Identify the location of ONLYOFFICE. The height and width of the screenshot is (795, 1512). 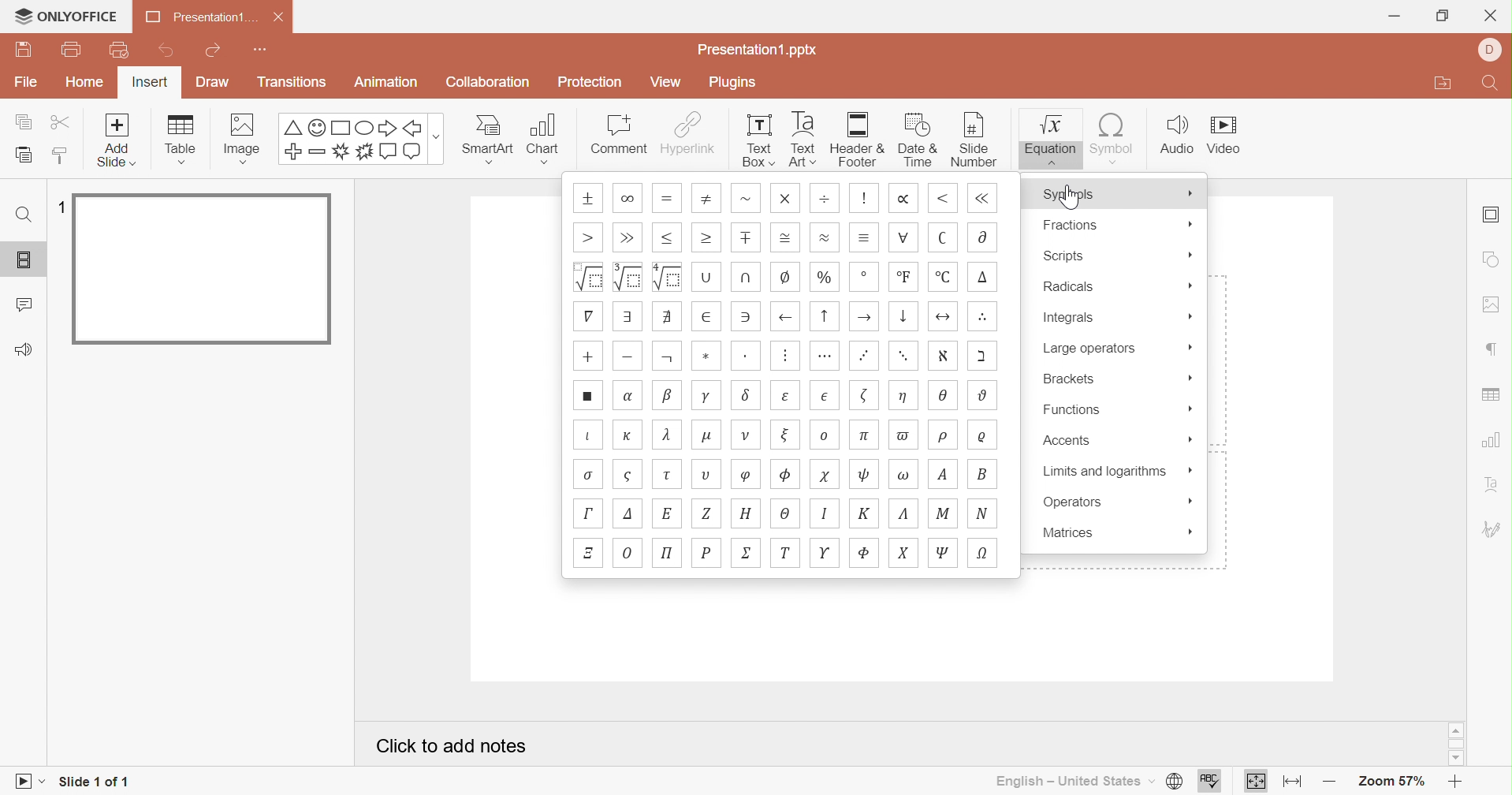
(65, 18).